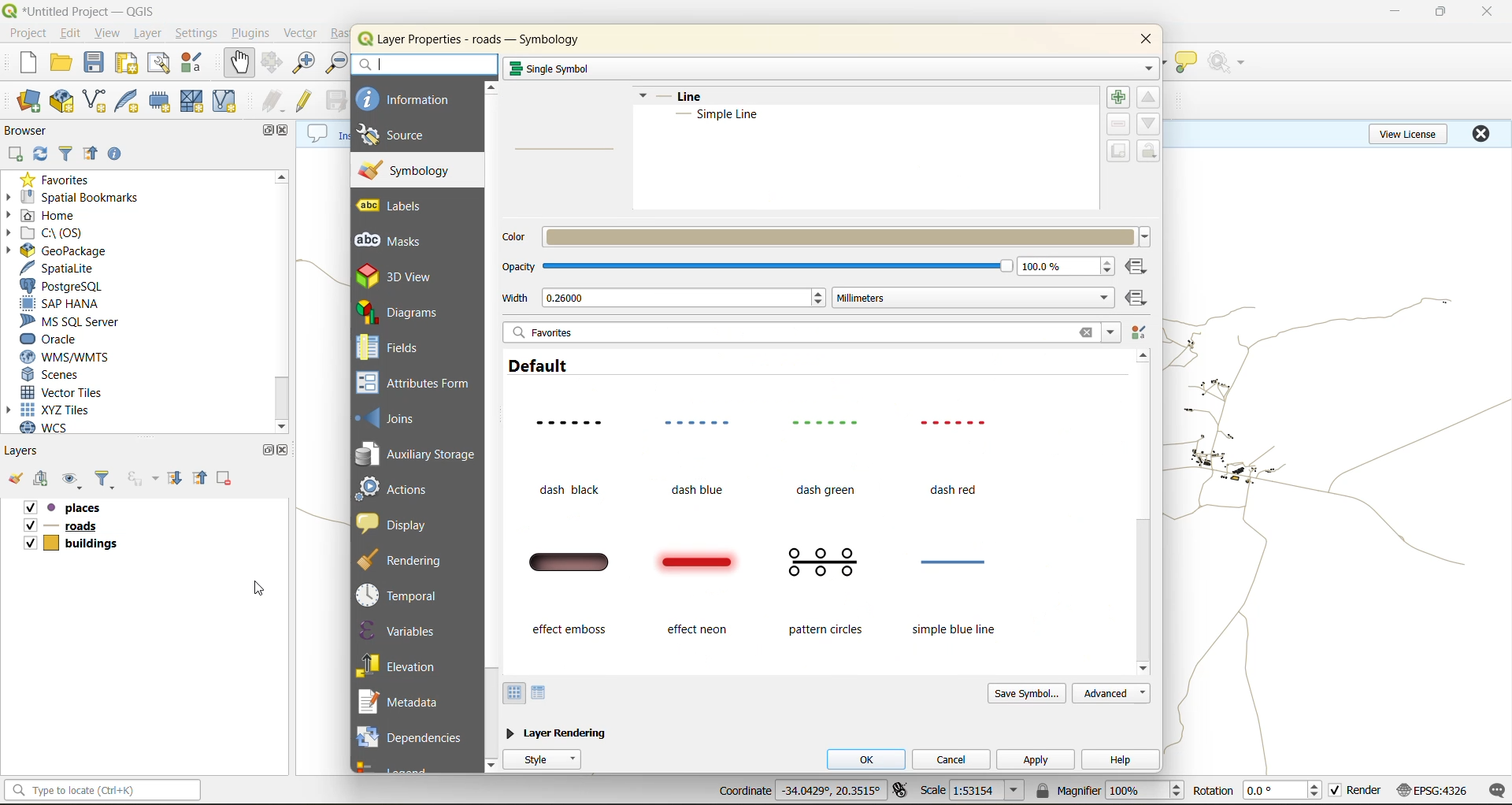  Describe the element at coordinates (225, 480) in the screenshot. I see `remove` at that location.